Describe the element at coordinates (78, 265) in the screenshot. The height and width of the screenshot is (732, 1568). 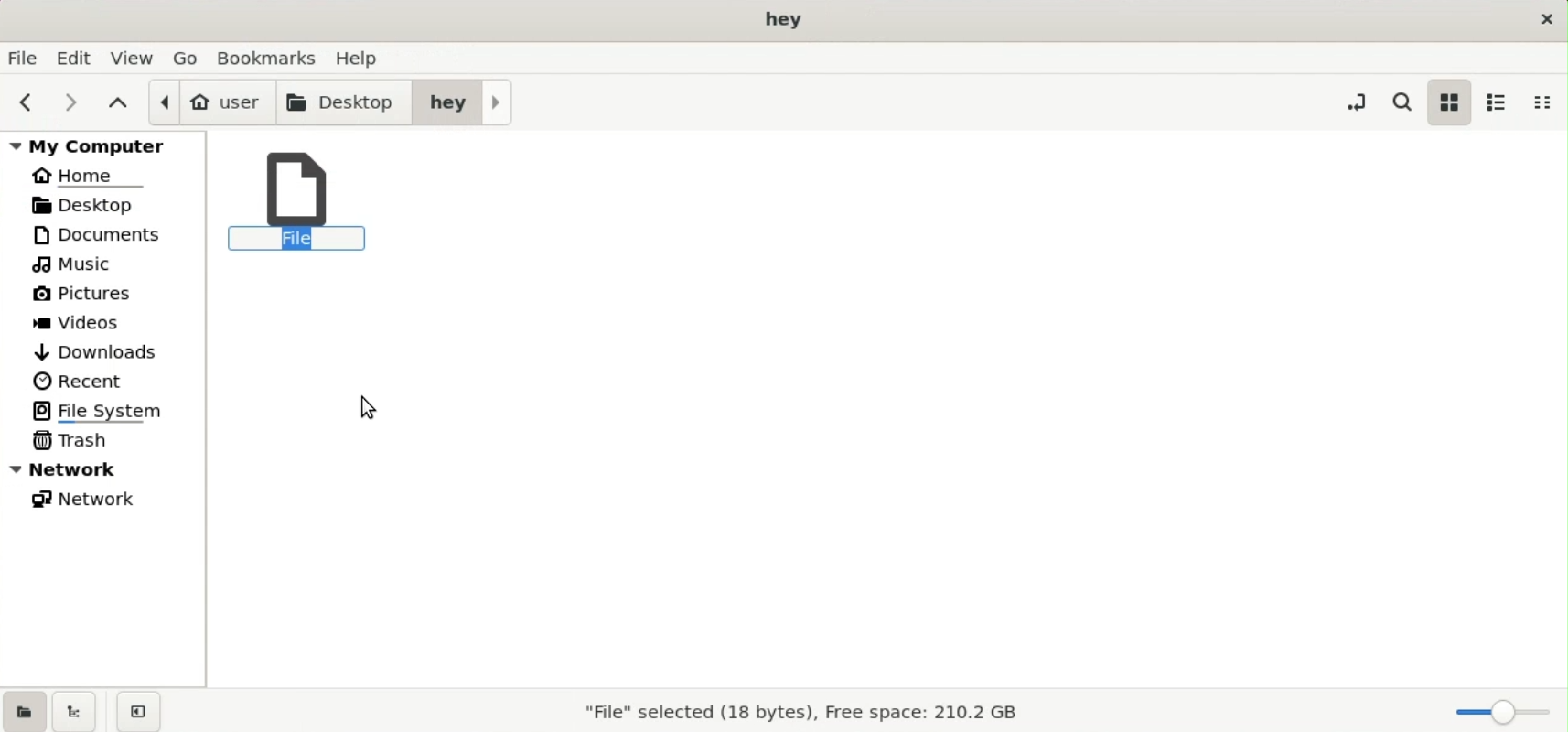
I see `music` at that location.